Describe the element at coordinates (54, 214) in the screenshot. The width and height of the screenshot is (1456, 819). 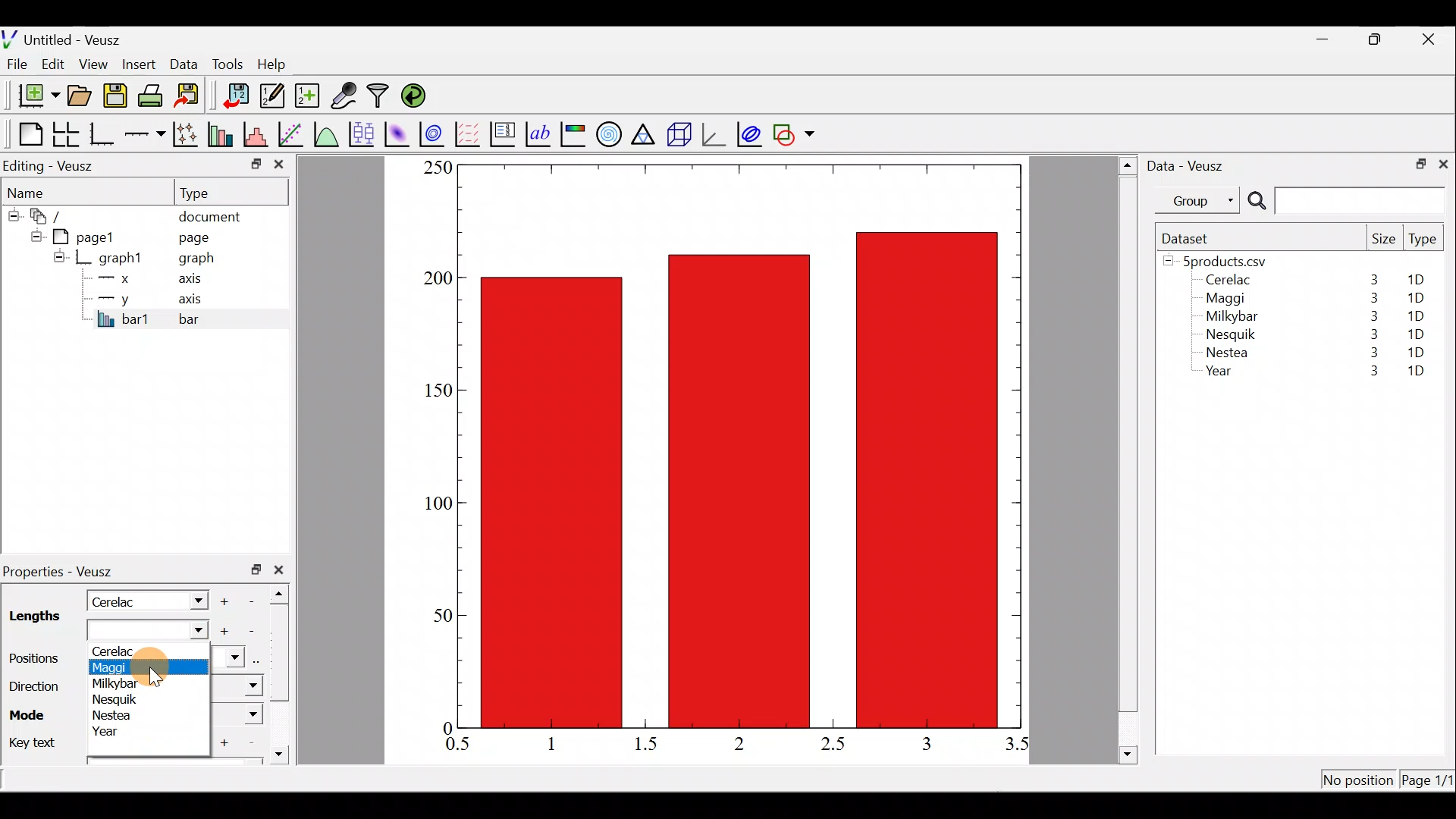
I see `document widget` at that location.